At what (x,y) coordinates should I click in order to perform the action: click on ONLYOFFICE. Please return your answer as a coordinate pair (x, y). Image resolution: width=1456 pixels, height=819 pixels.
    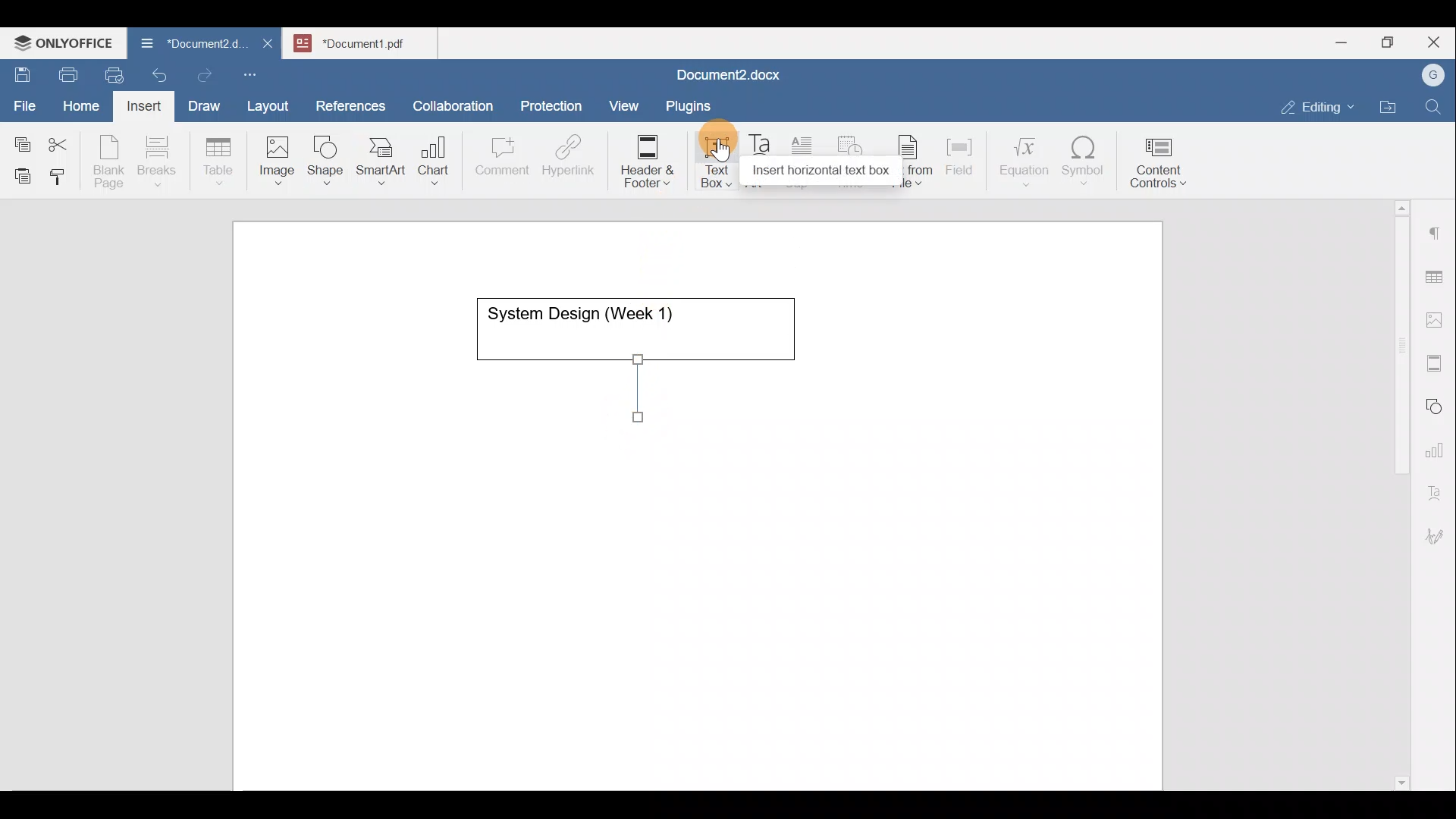
    Looking at the image, I should click on (64, 42).